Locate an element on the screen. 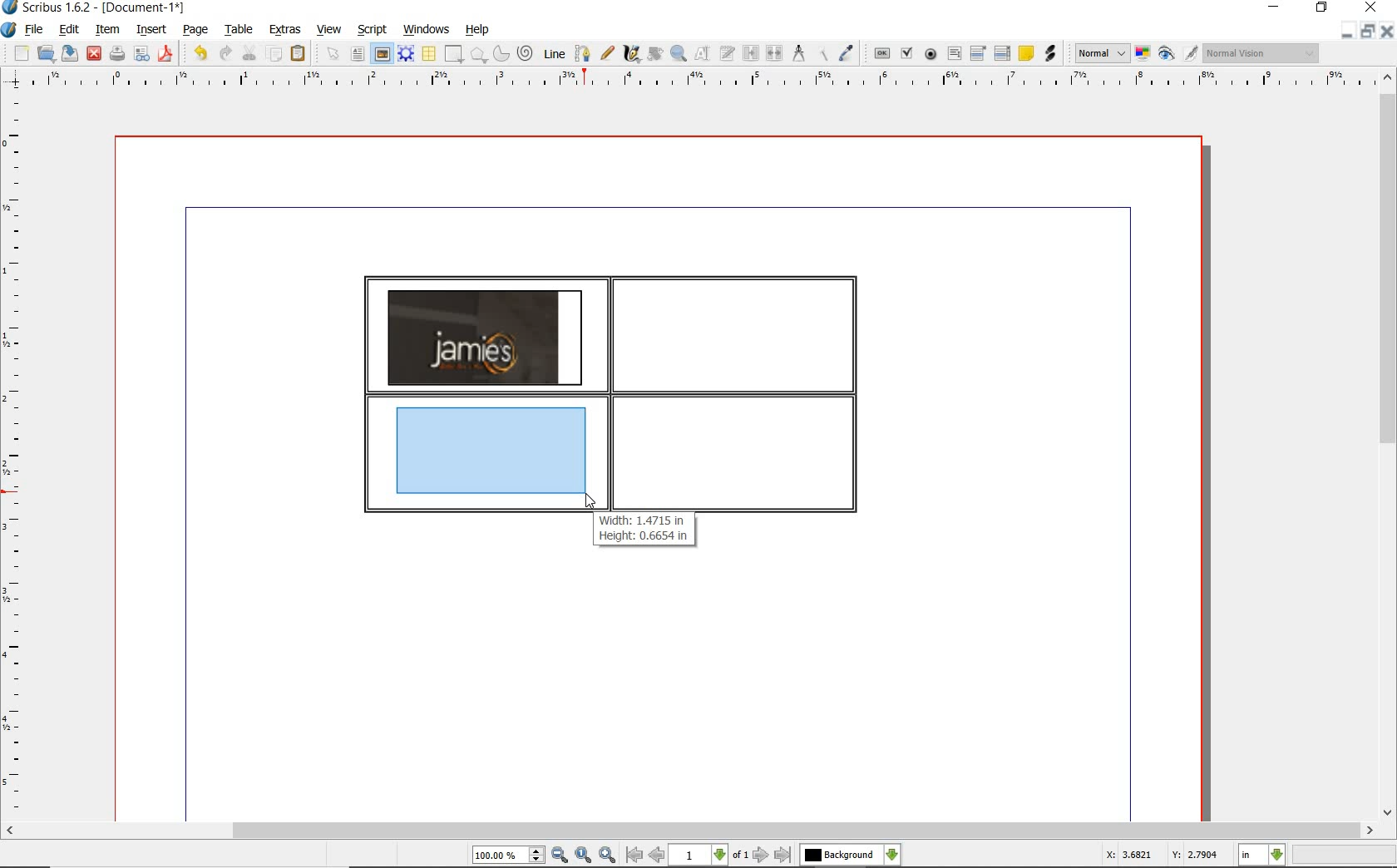 Image resolution: width=1397 pixels, height=868 pixels. scrollbar is located at coordinates (1387, 446).